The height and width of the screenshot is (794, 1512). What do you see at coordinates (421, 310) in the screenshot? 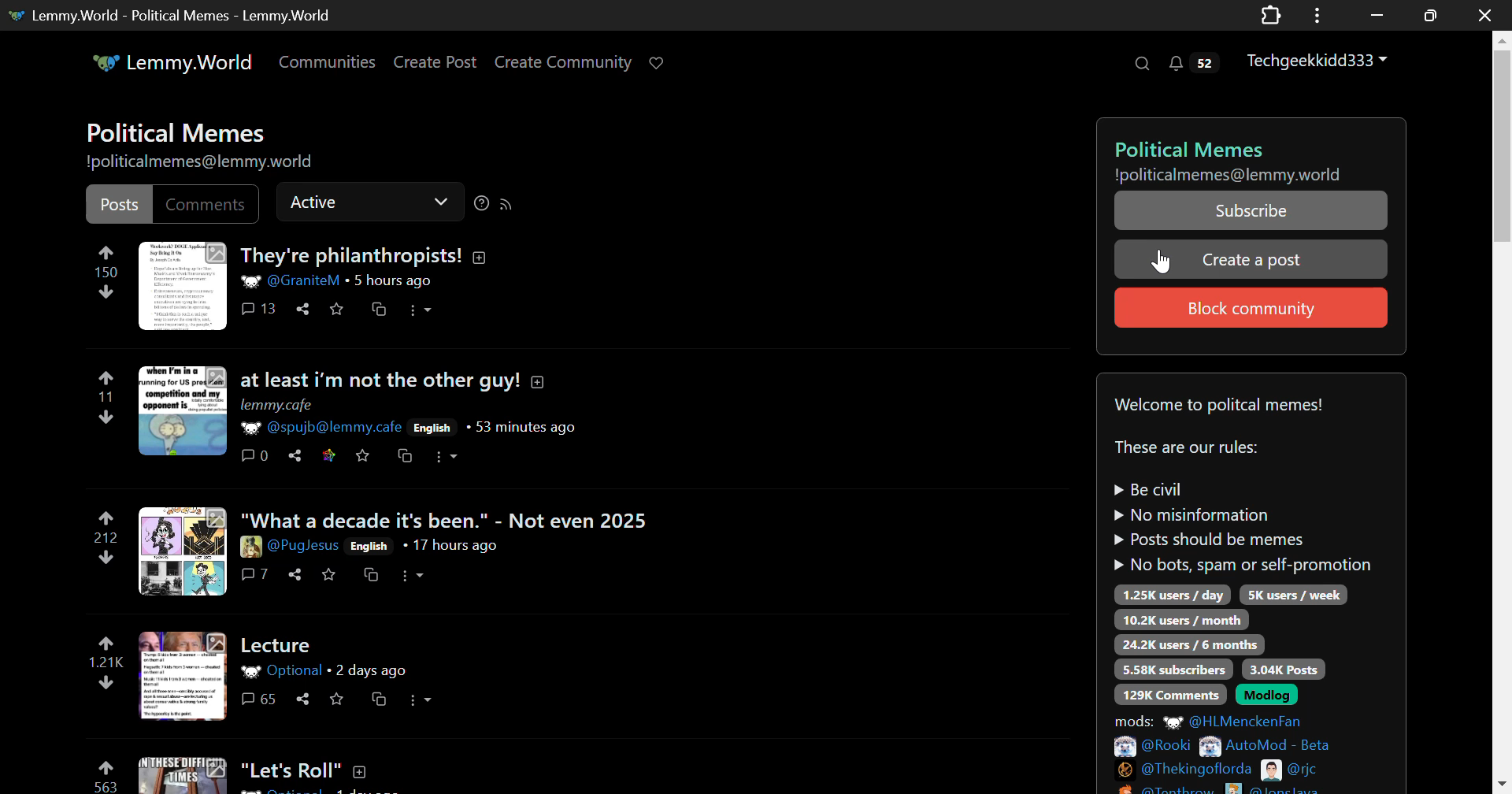
I see `More Options` at bounding box center [421, 310].